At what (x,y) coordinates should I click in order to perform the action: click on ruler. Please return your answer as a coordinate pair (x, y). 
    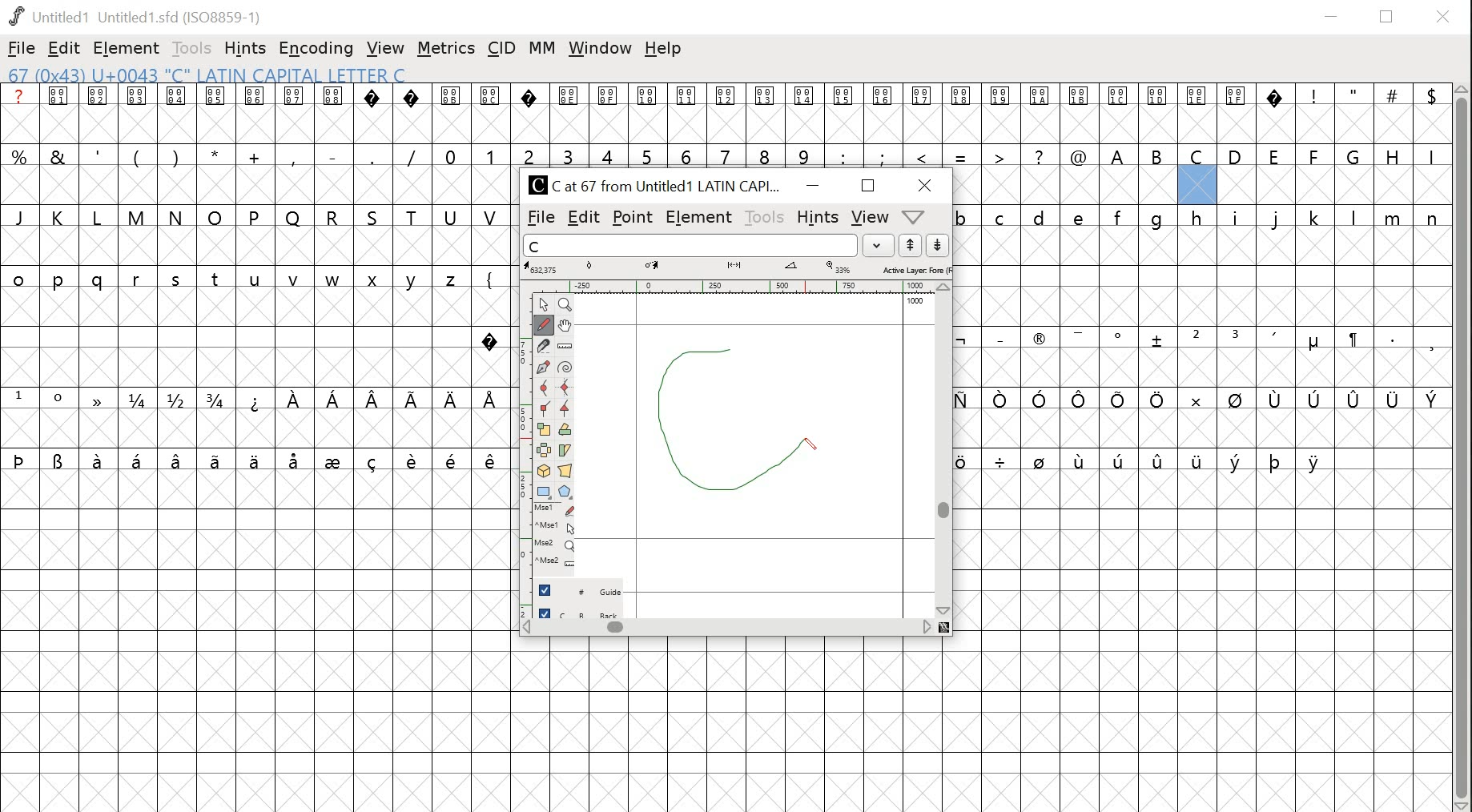
    Looking at the image, I should click on (525, 450).